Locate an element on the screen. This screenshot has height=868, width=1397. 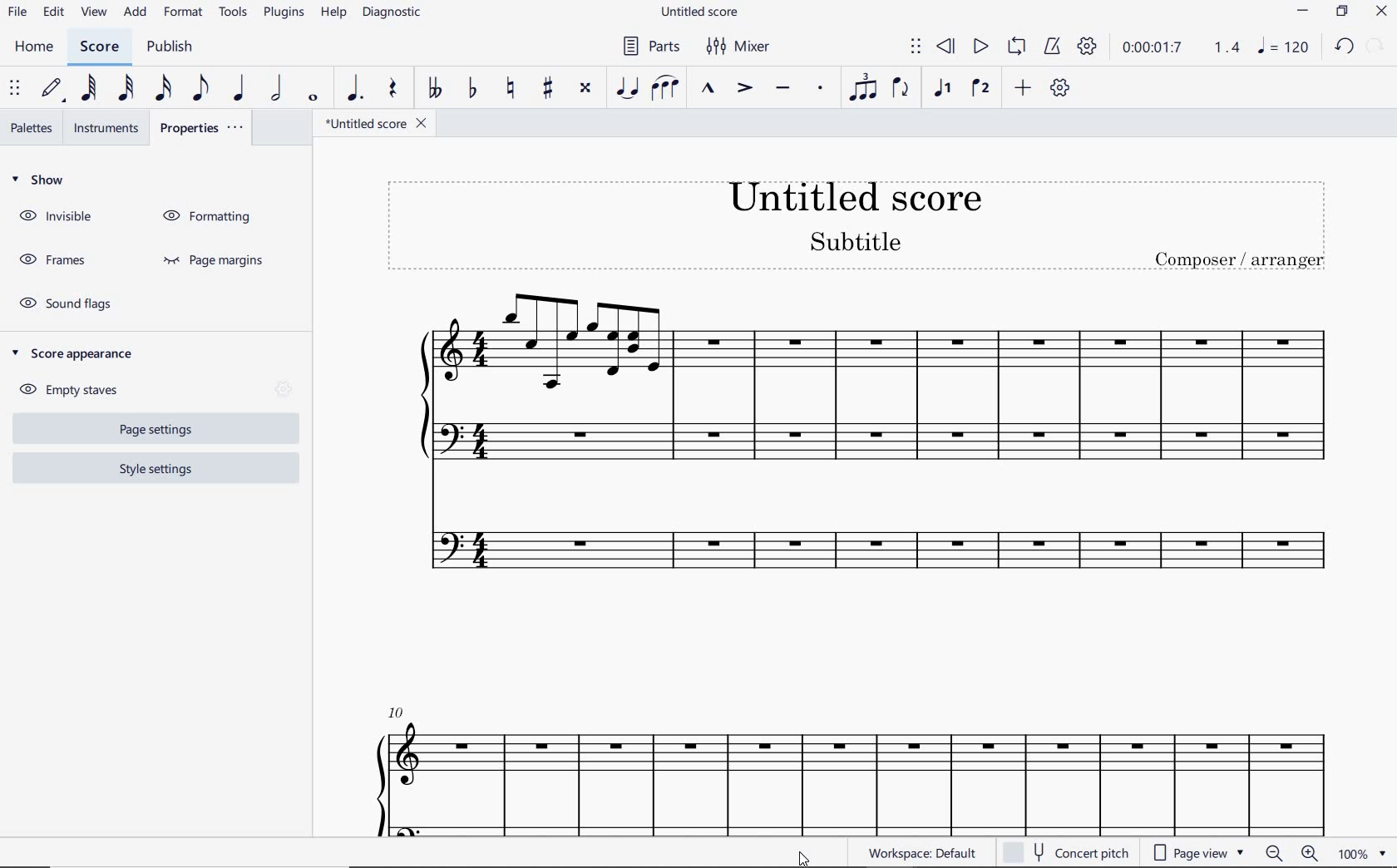
SOUND FLAGS is located at coordinates (70, 303).